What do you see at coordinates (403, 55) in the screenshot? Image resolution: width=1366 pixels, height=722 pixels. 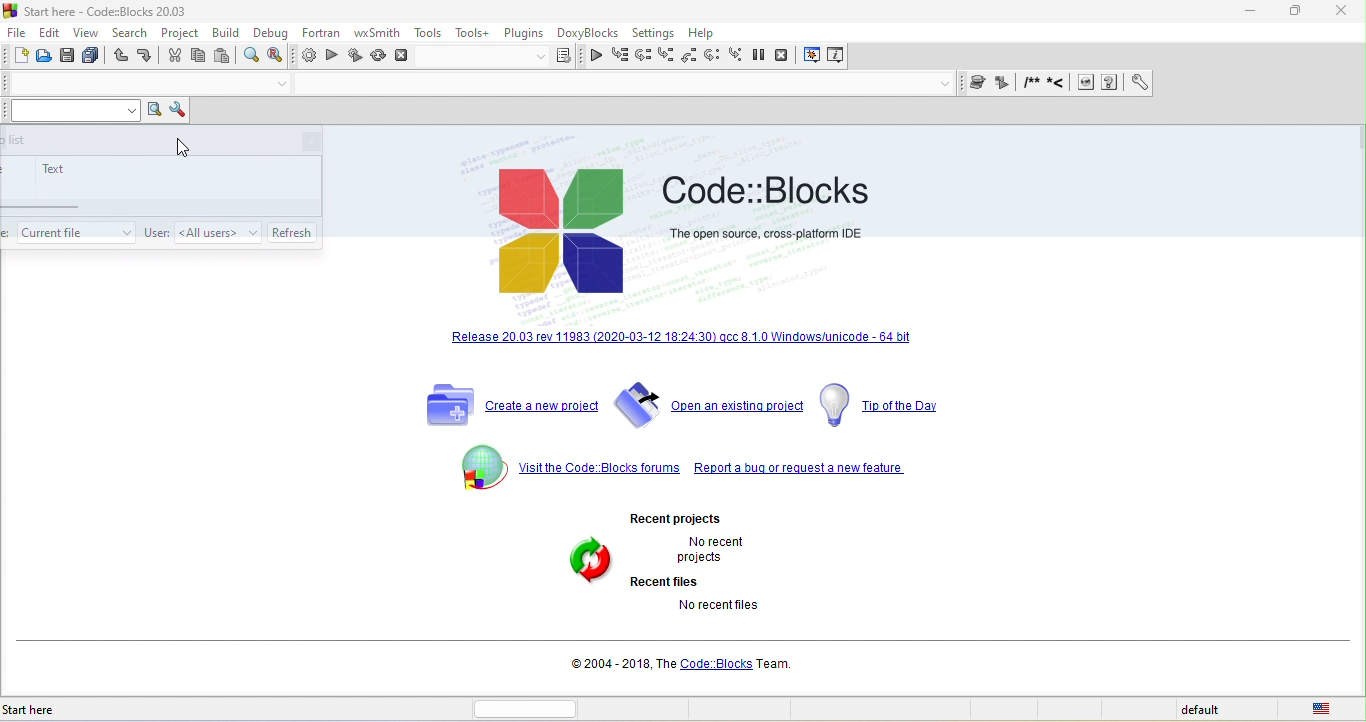 I see `abort` at bounding box center [403, 55].